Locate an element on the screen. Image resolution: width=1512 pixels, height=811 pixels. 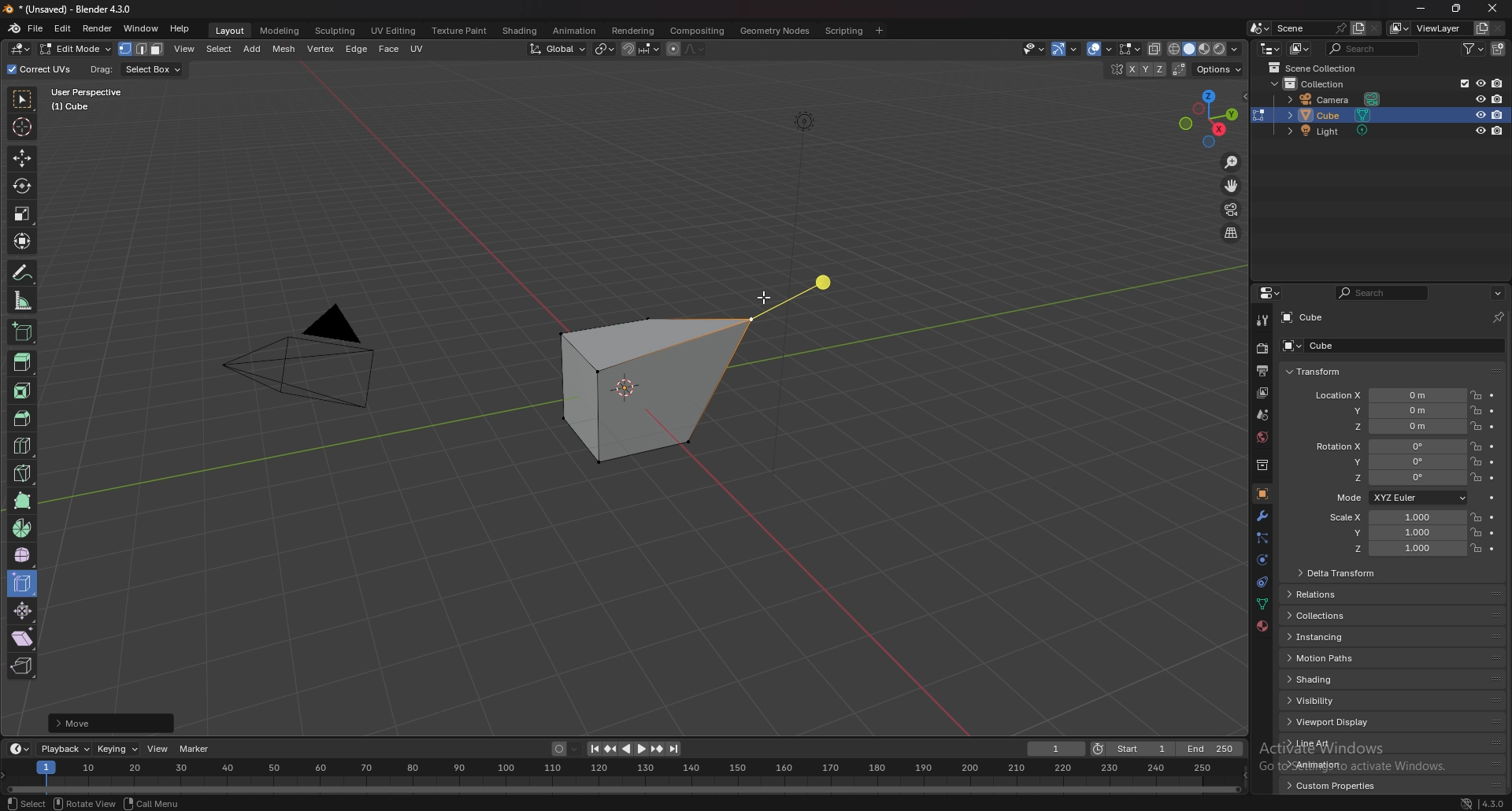
view is located at coordinates (157, 747).